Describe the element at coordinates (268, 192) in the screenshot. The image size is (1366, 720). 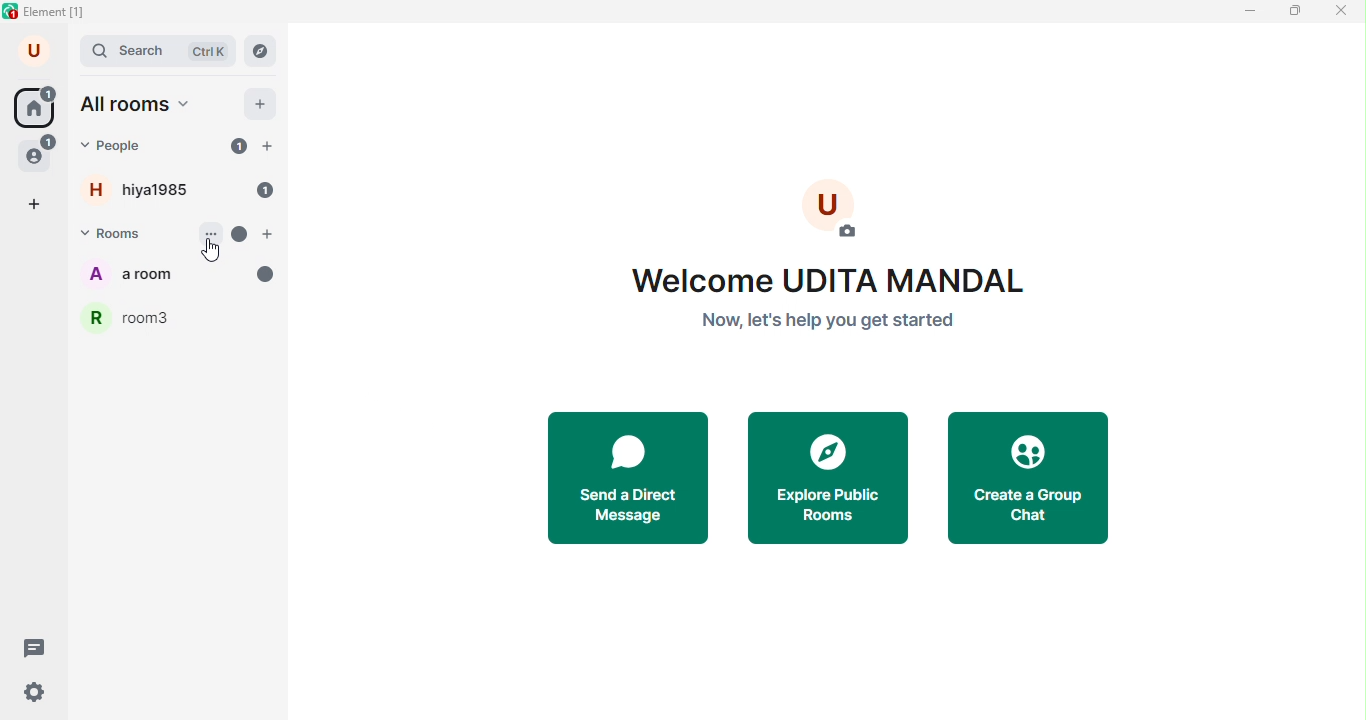
I see `unread 1 message` at that location.